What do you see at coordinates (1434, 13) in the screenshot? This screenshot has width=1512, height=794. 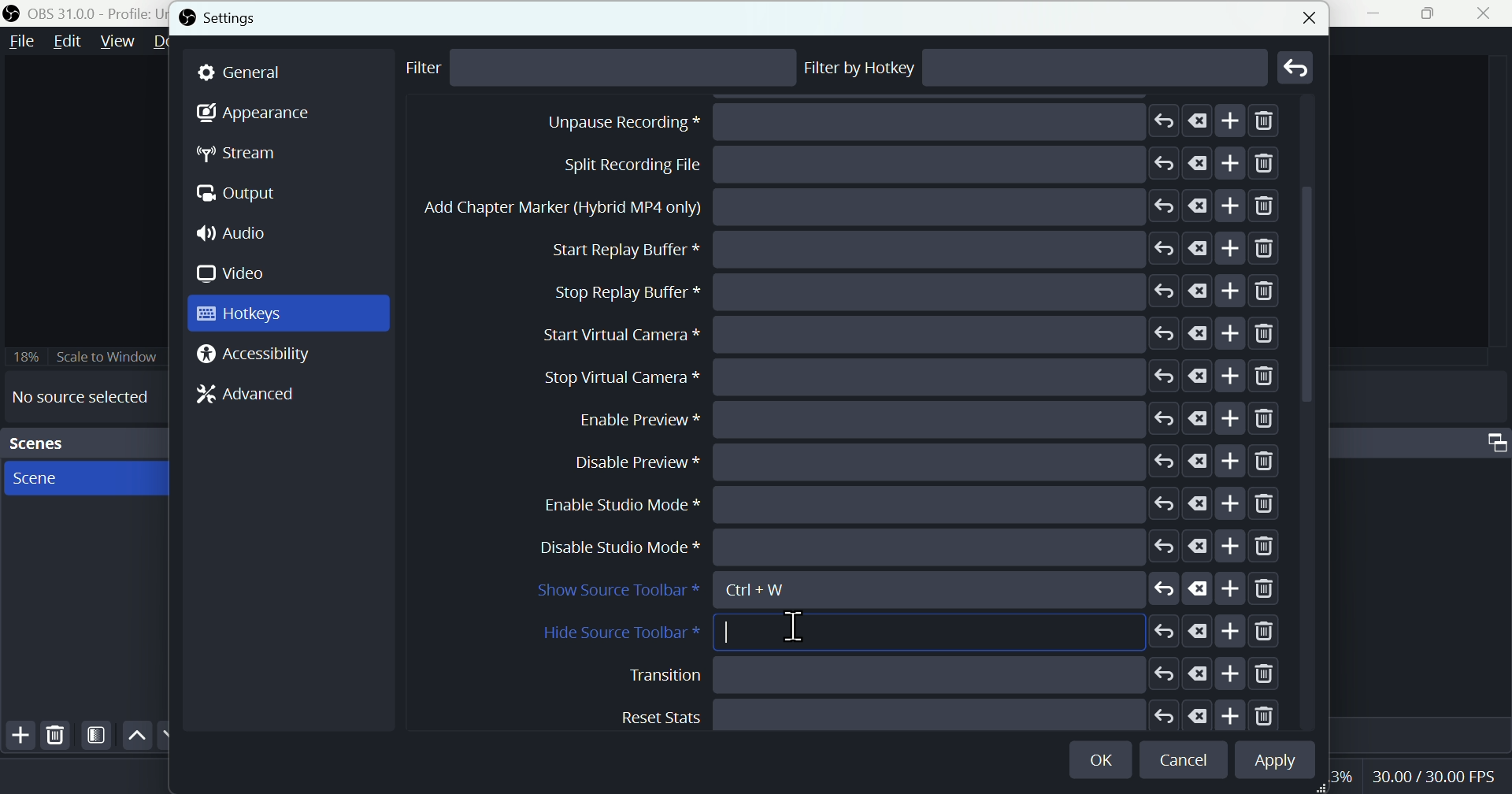 I see `Maximise` at bounding box center [1434, 13].